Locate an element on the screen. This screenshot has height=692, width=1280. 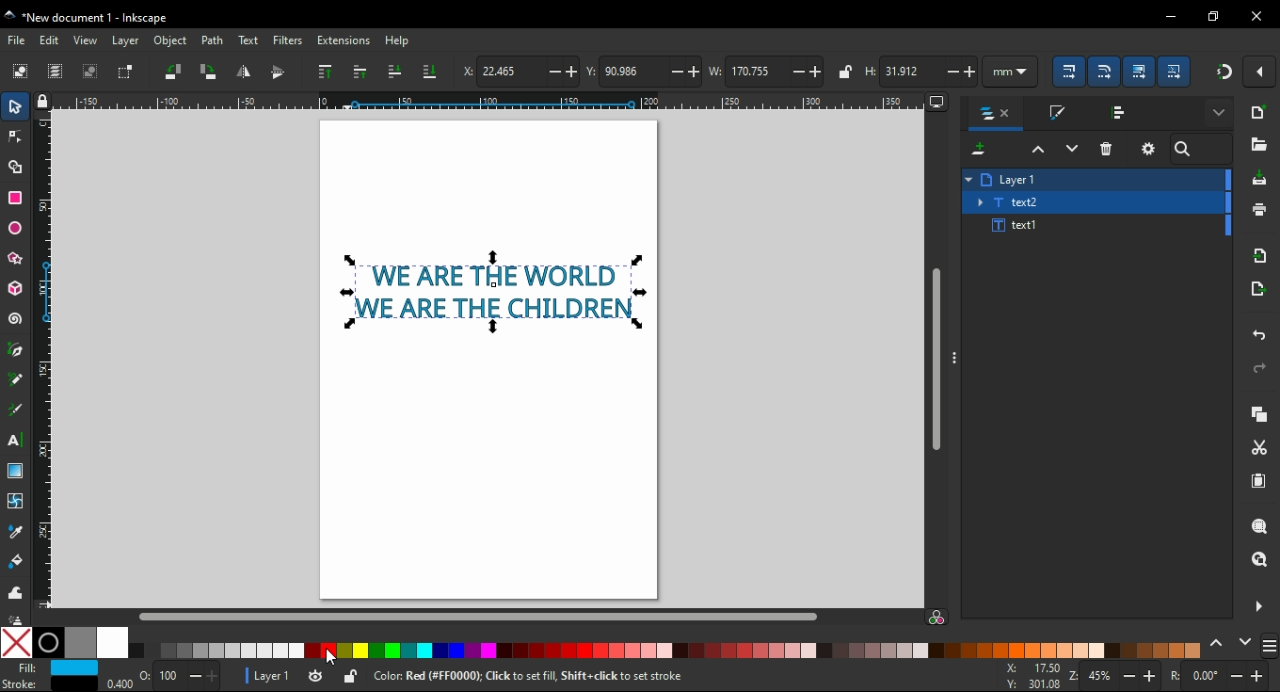
print is located at coordinates (1259, 211).